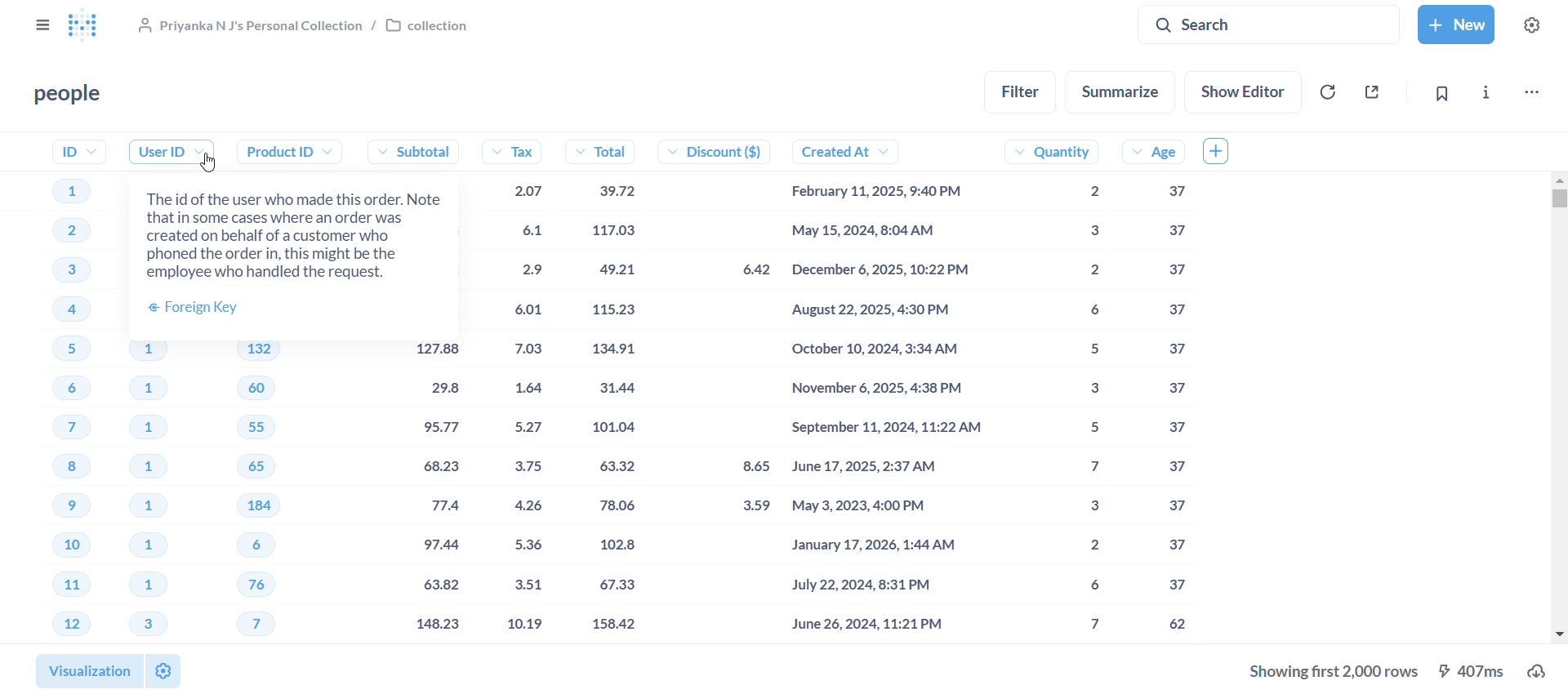  I want to click on filter , so click(1019, 91).